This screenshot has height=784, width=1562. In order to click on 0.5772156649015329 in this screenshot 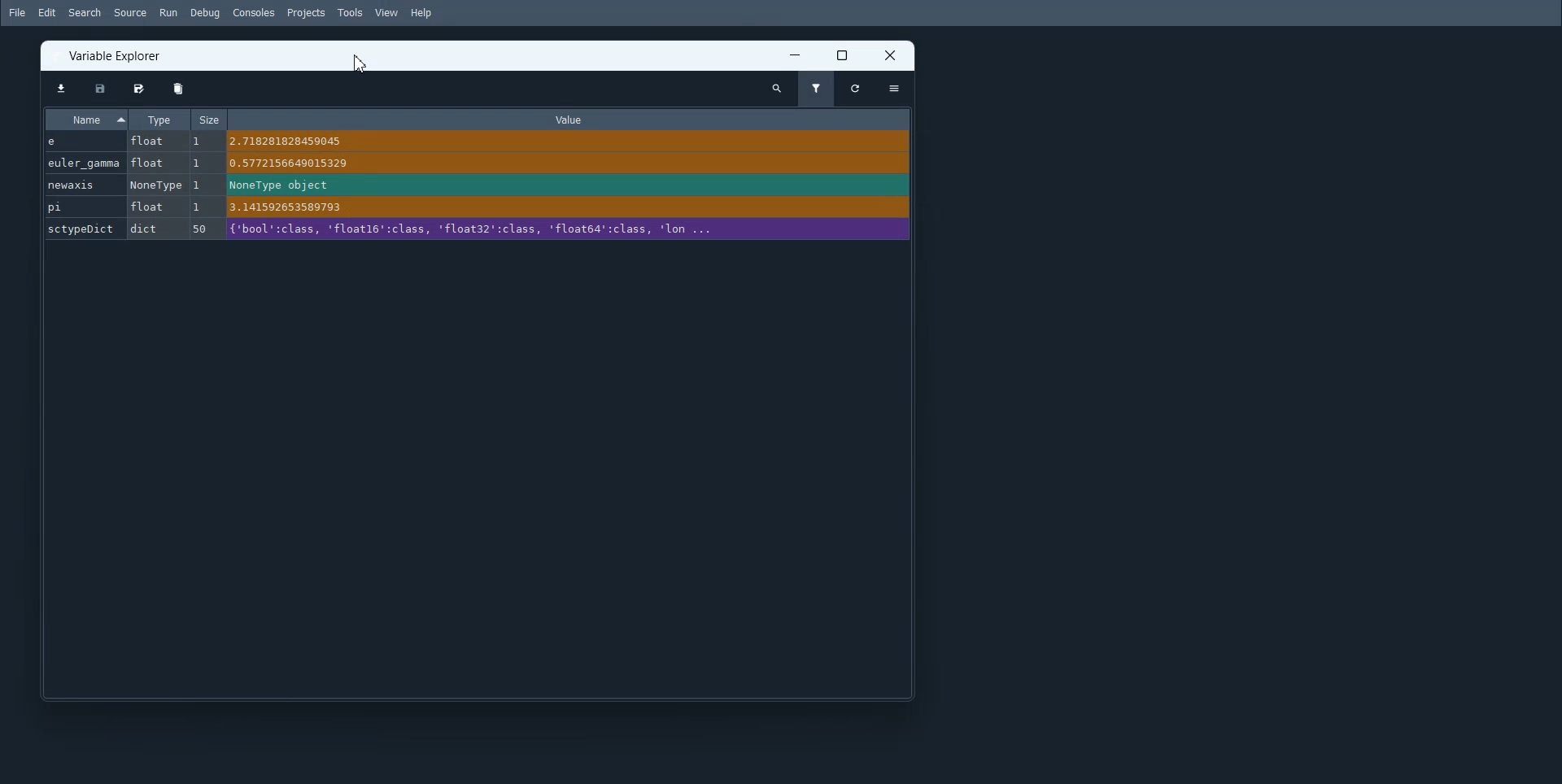, I will do `click(292, 163)`.